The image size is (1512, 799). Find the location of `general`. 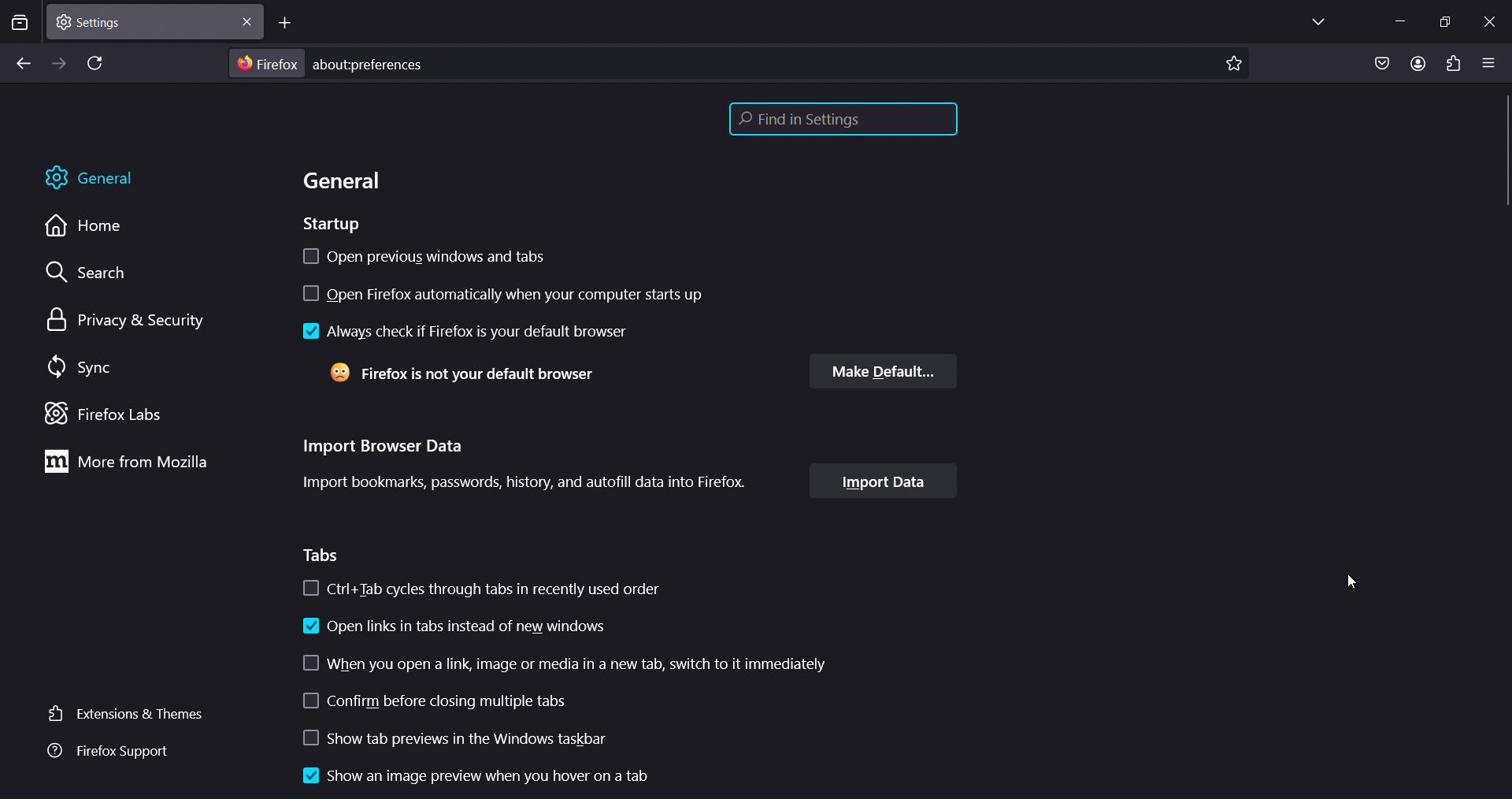

general is located at coordinates (352, 177).